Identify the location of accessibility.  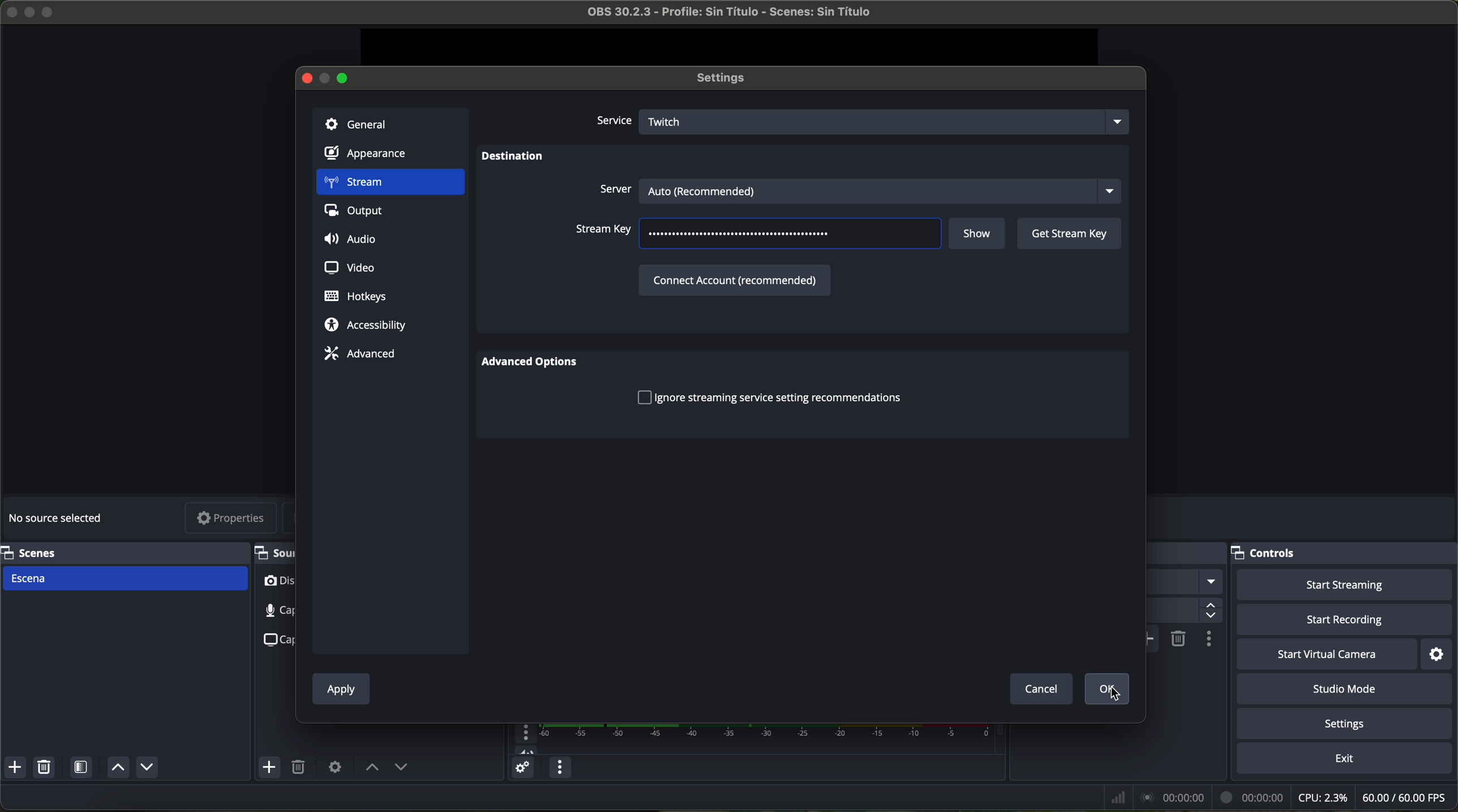
(366, 326).